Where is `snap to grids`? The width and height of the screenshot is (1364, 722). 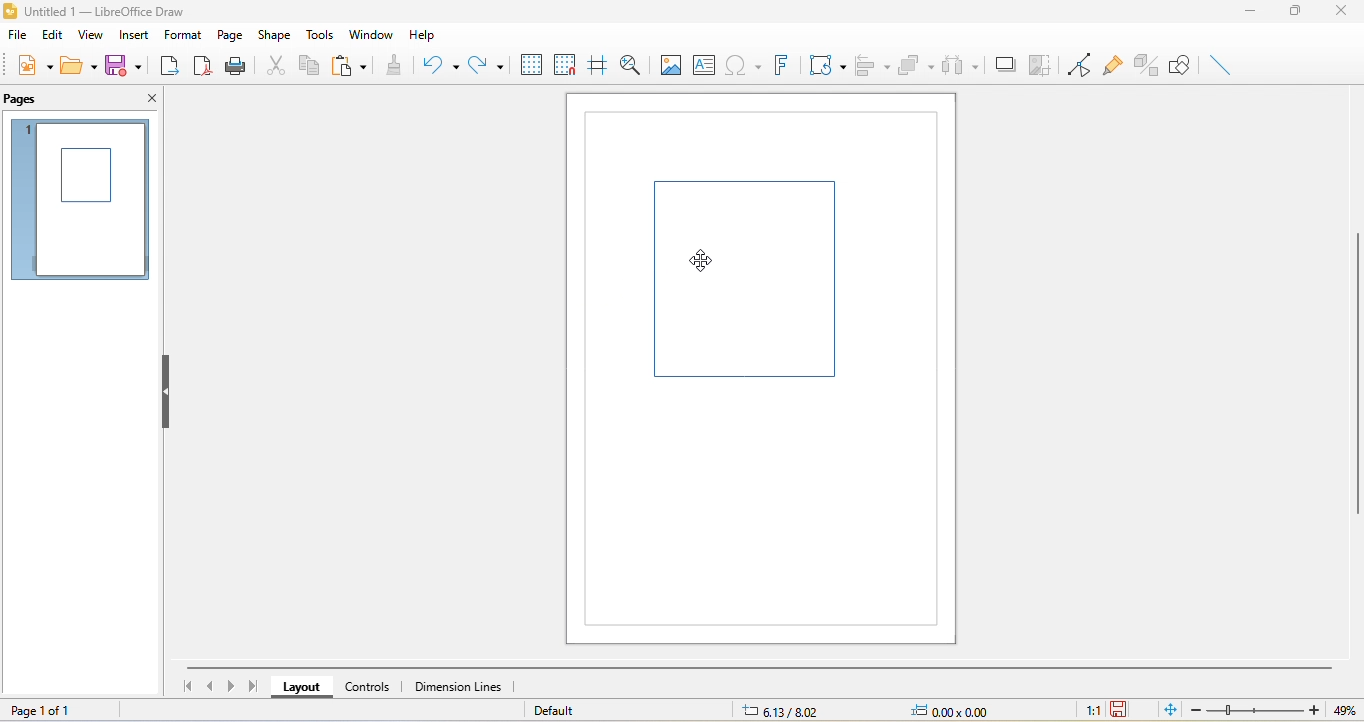
snap to grids is located at coordinates (566, 65).